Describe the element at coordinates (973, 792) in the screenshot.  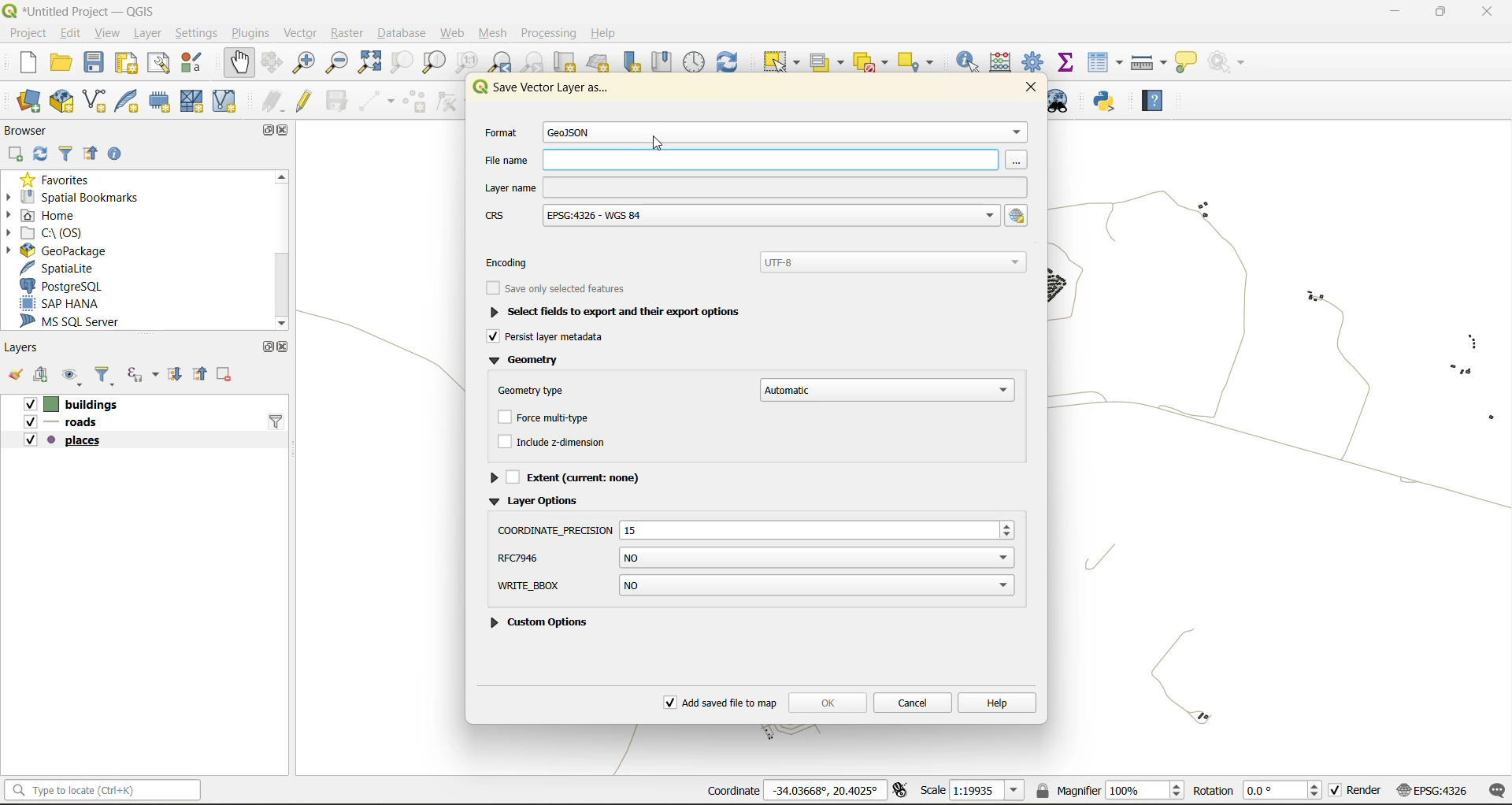
I see `scale` at that location.